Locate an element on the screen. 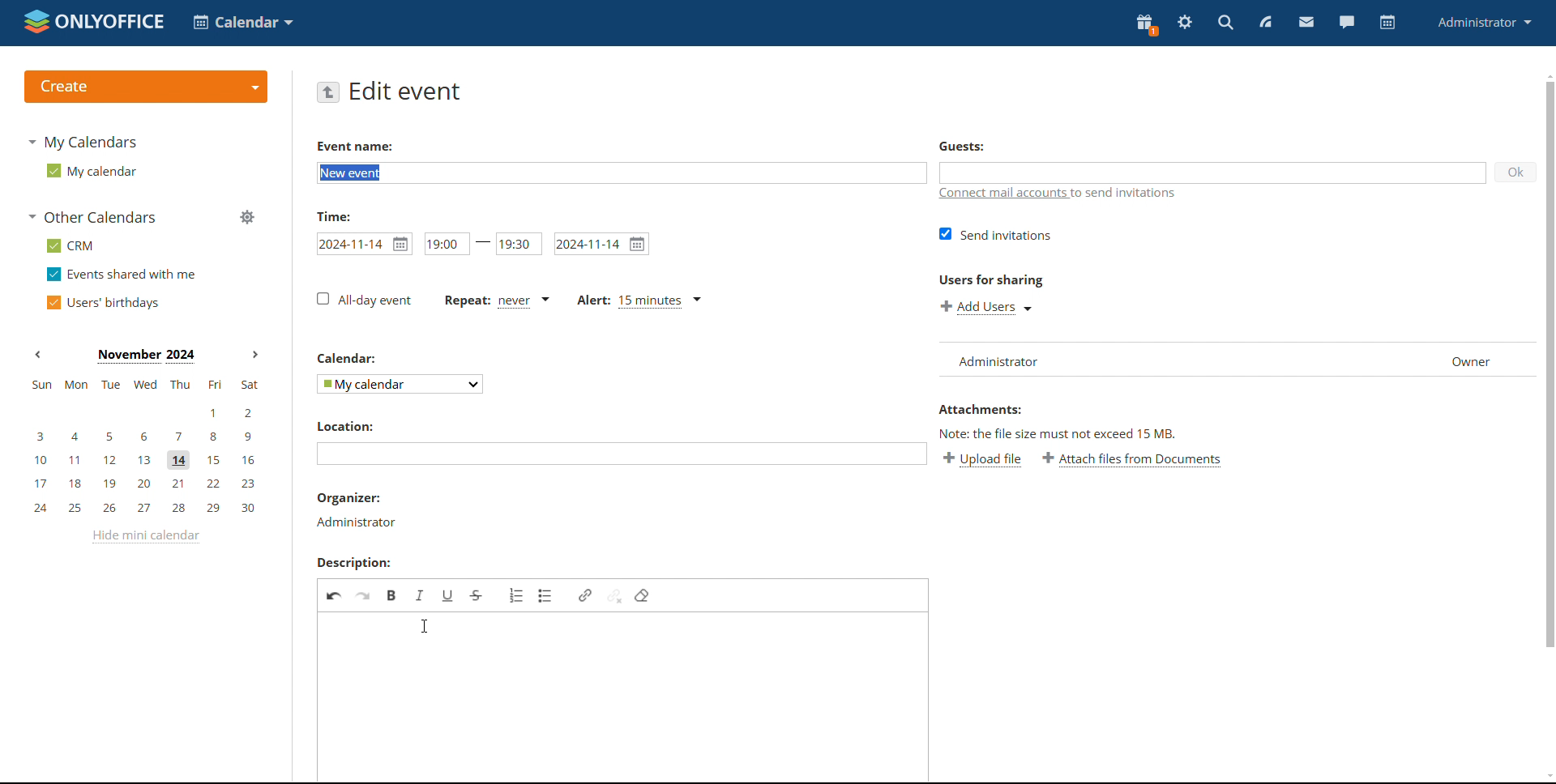  chat is located at coordinates (1346, 23).